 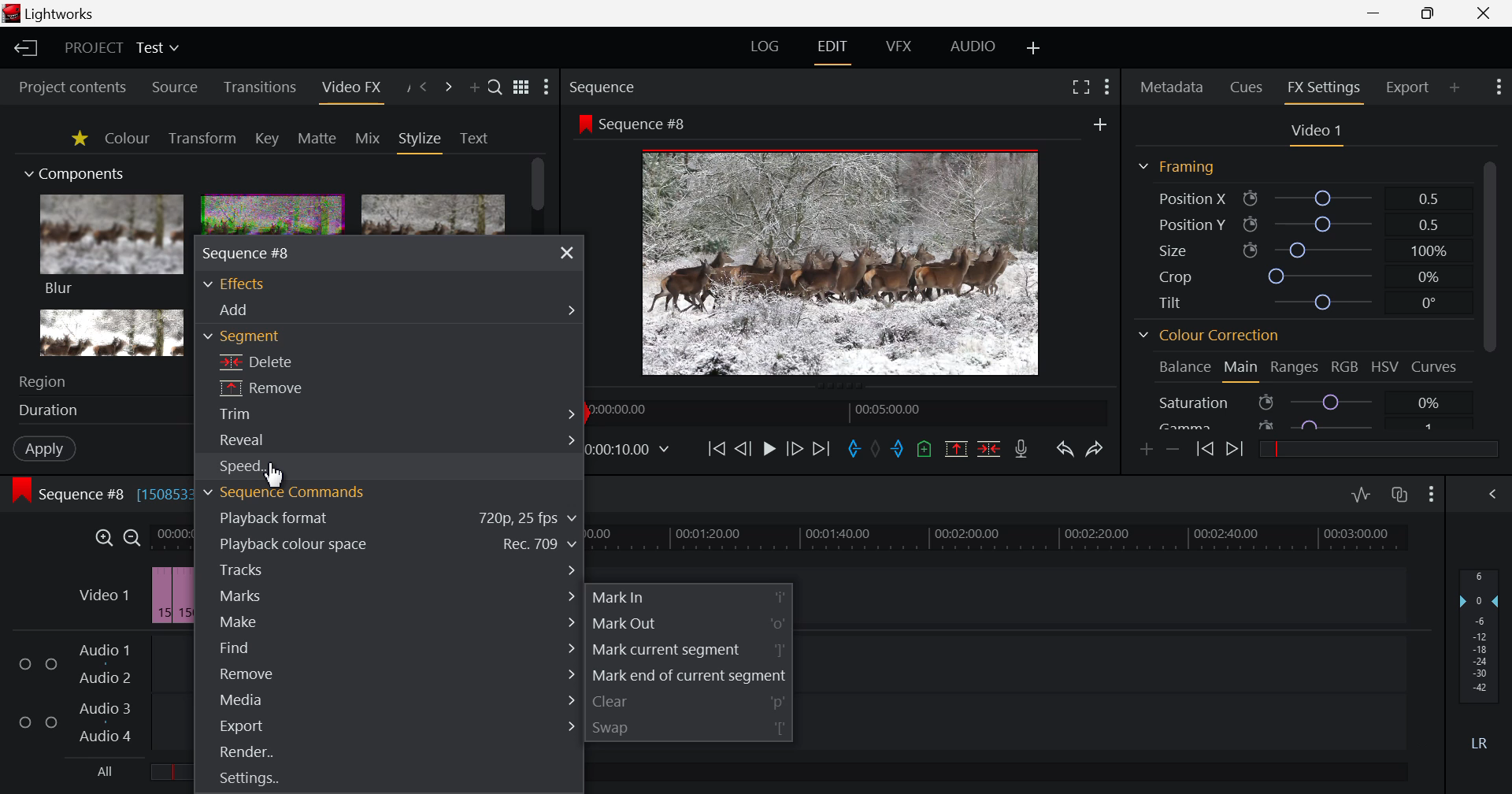 What do you see at coordinates (1310, 423) in the screenshot?
I see `Gamma` at bounding box center [1310, 423].